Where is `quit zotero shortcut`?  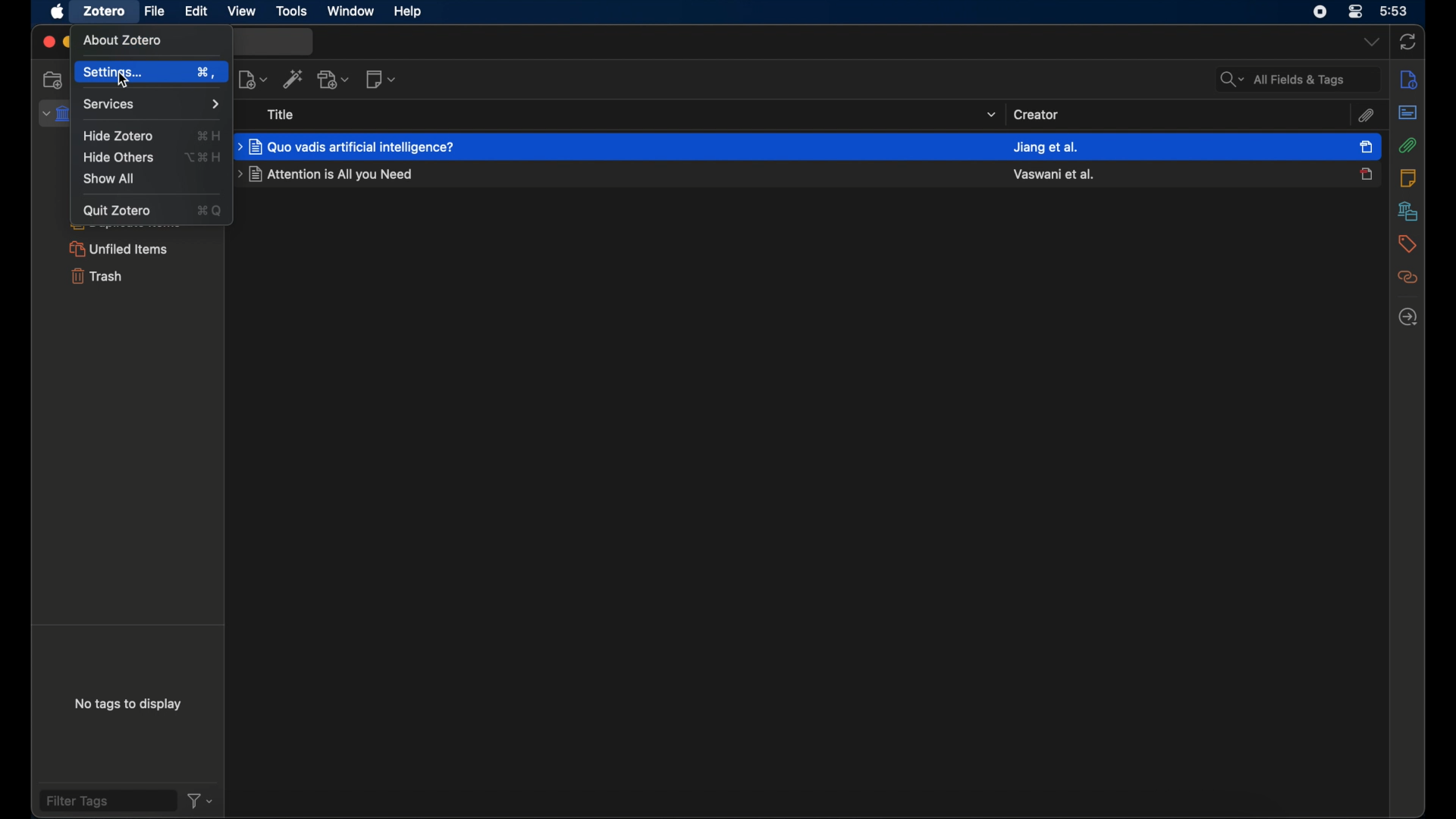 quit zotero shortcut is located at coordinates (211, 211).